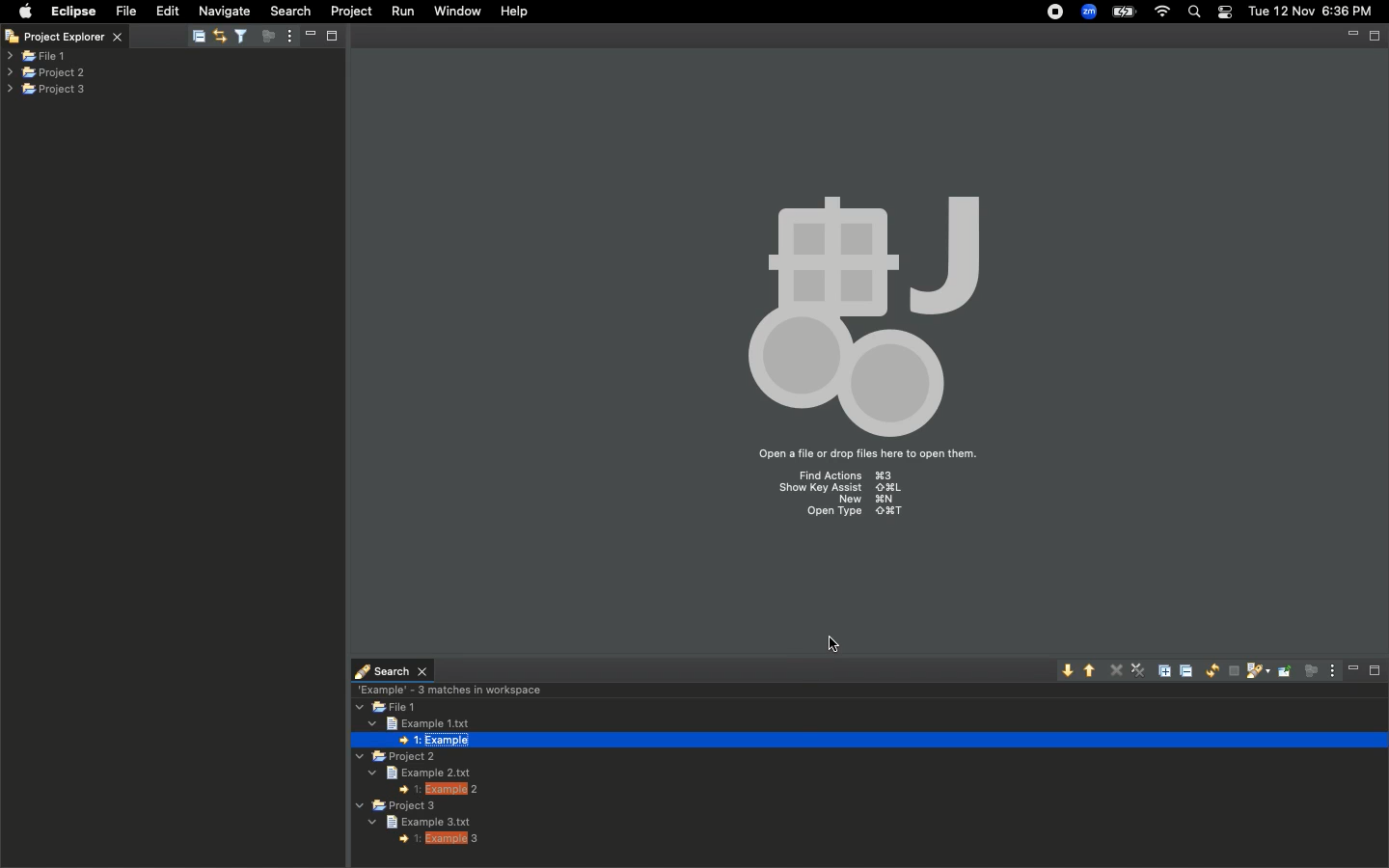 The width and height of the screenshot is (1389, 868). I want to click on 1 Example 2, so click(440, 790).